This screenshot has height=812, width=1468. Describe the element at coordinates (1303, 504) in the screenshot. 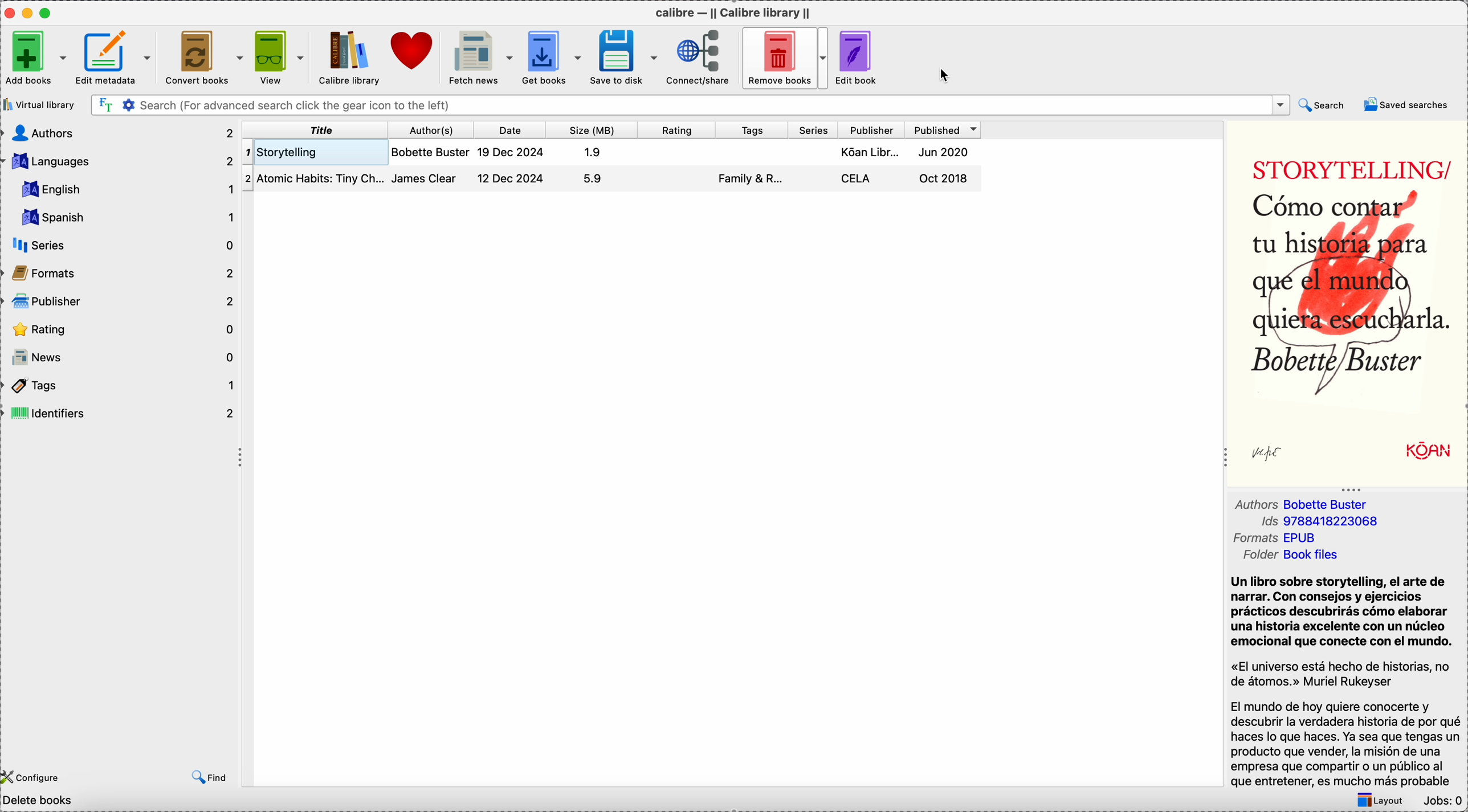

I see `authors Bobette Buster` at that location.